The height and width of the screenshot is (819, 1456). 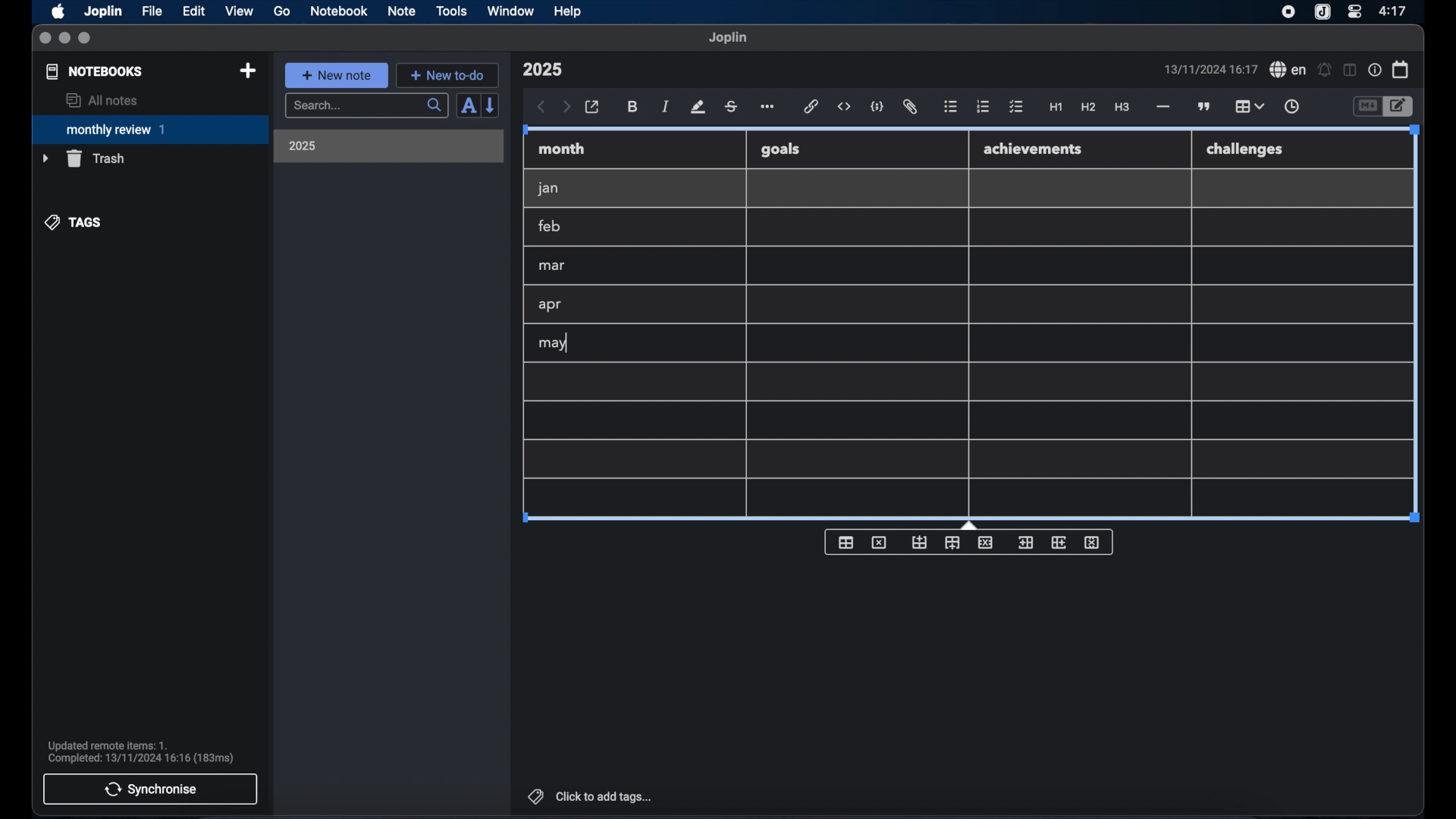 What do you see at coordinates (1162, 107) in the screenshot?
I see `horizontal rule` at bounding box center [1162, 107].